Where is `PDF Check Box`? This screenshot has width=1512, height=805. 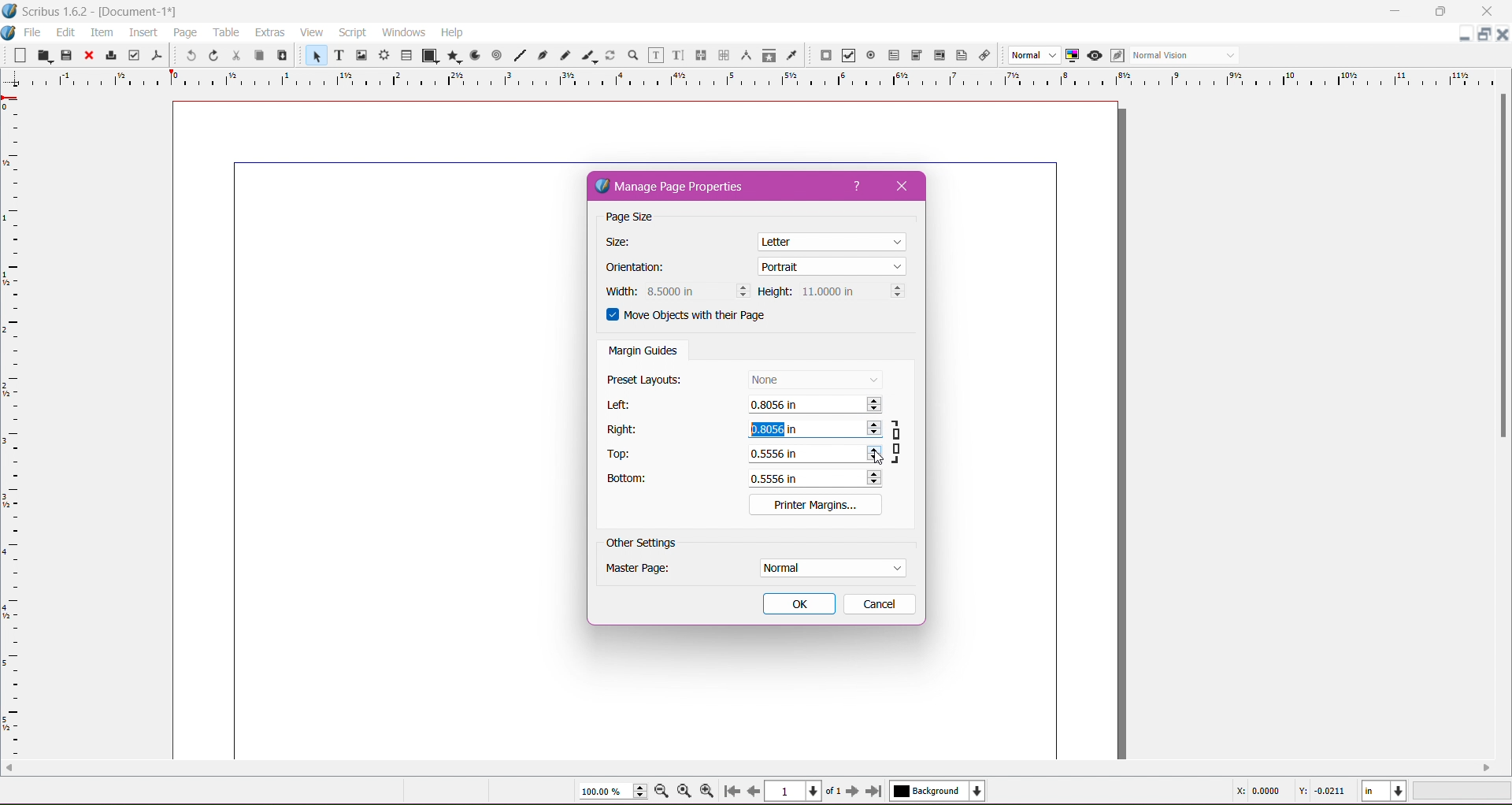 PDF Check Box is located at coordinates (849, 56).